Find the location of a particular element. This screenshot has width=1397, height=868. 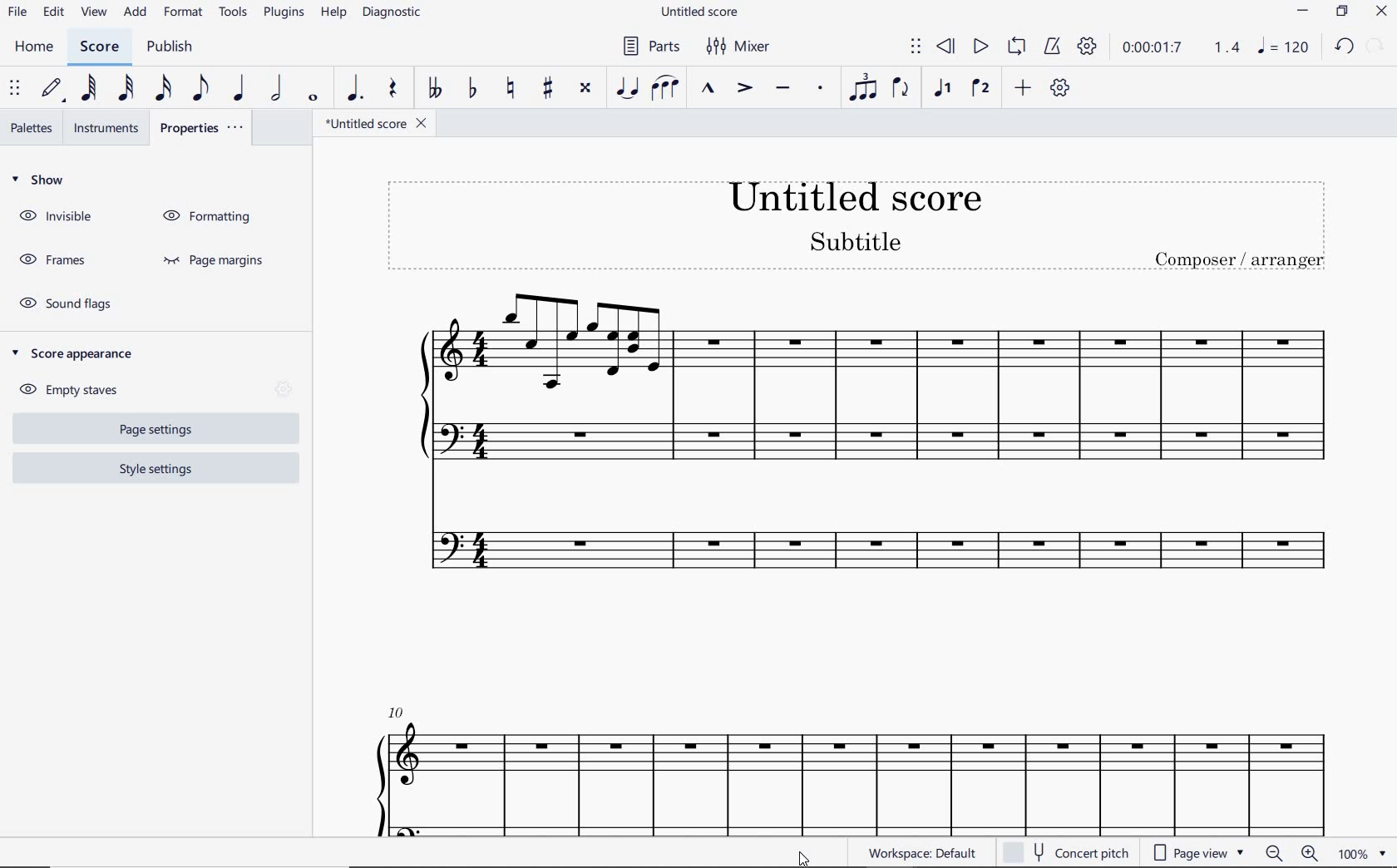

HOME is located at coordinates (33, 47).